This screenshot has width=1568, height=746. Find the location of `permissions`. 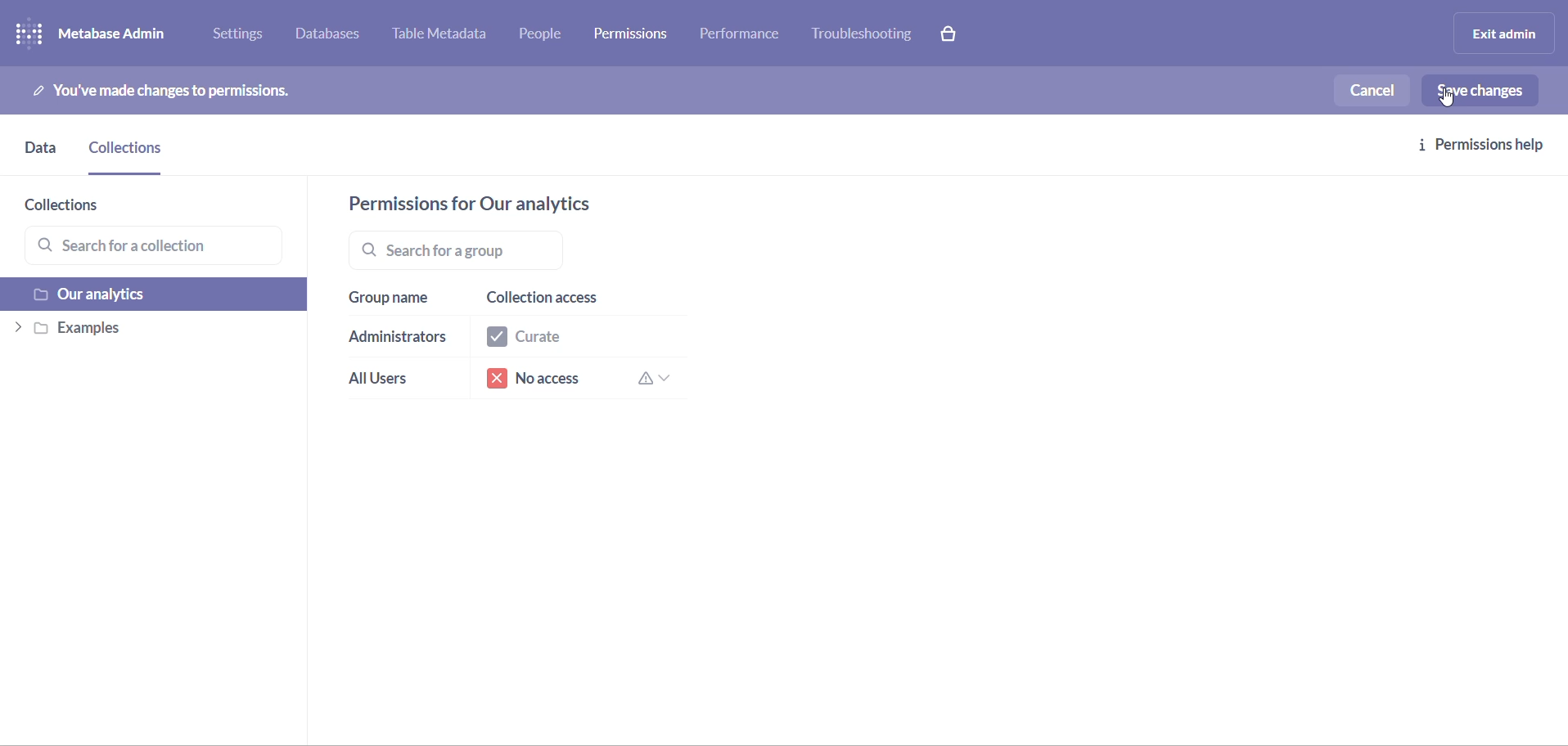

permissions is located at coordinates (636, 32).